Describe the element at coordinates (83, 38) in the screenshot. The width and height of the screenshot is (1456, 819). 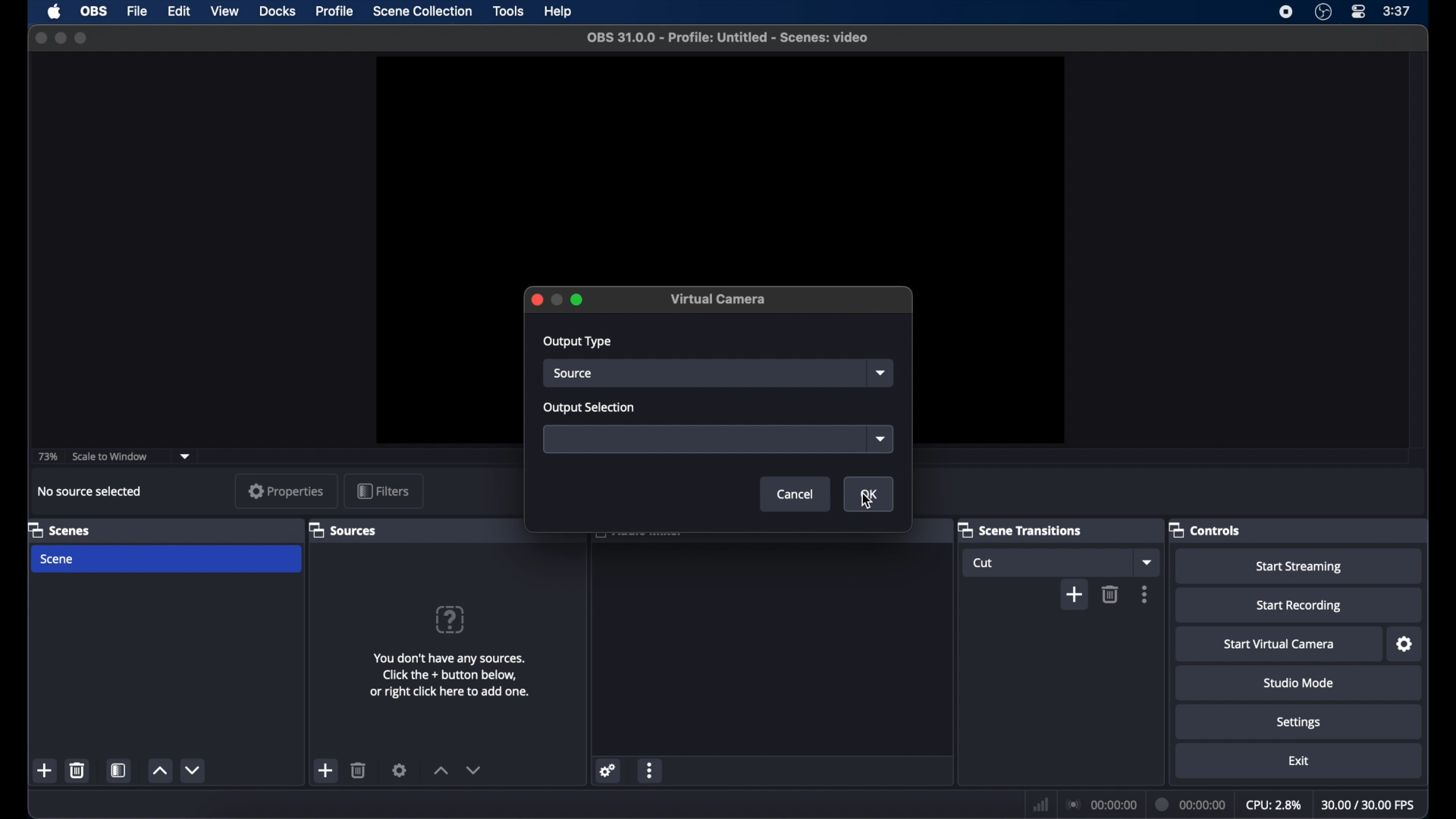
I see `maximize` at that location.